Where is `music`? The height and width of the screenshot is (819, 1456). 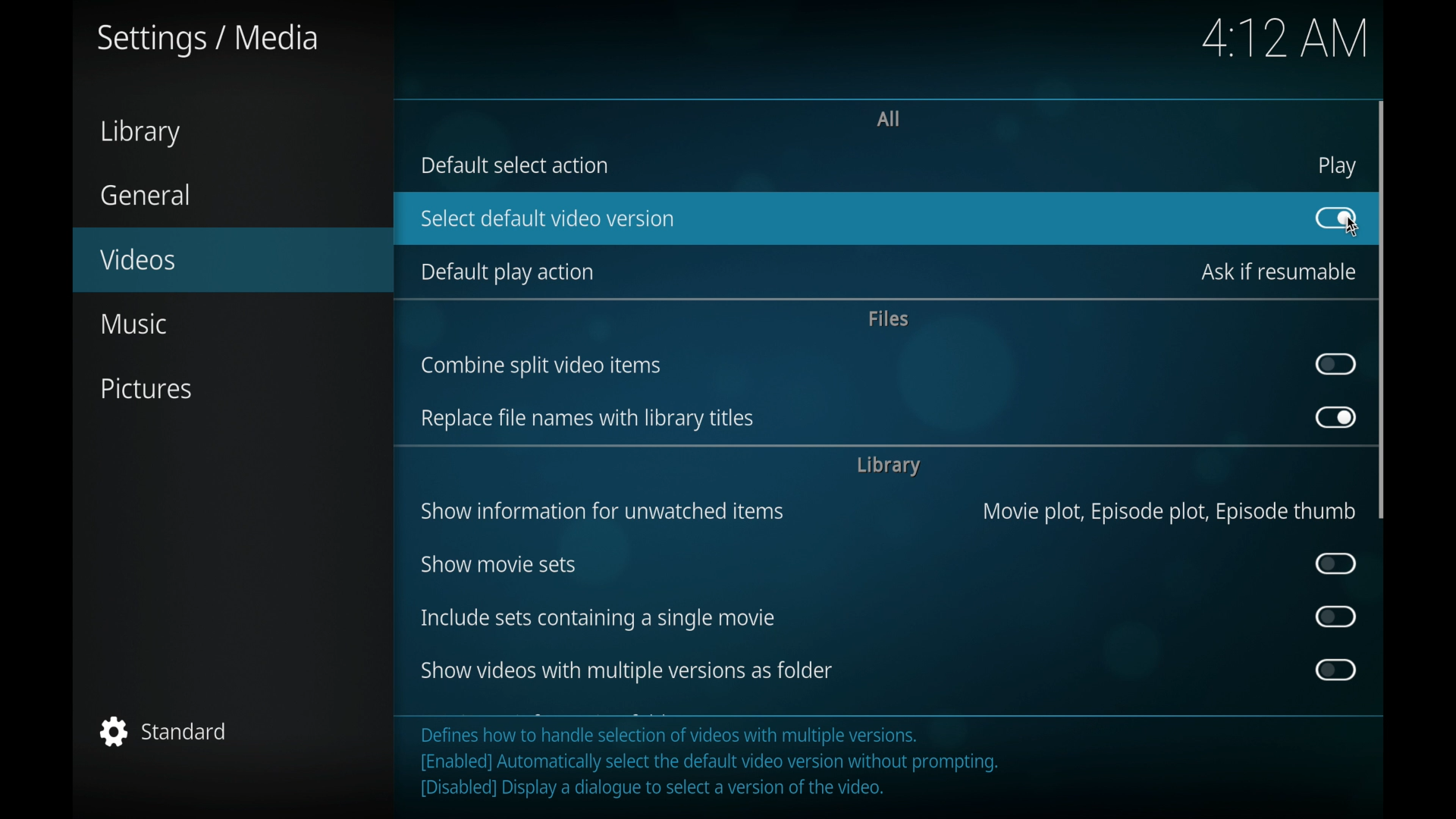 music is located at coordinates (135, 325).